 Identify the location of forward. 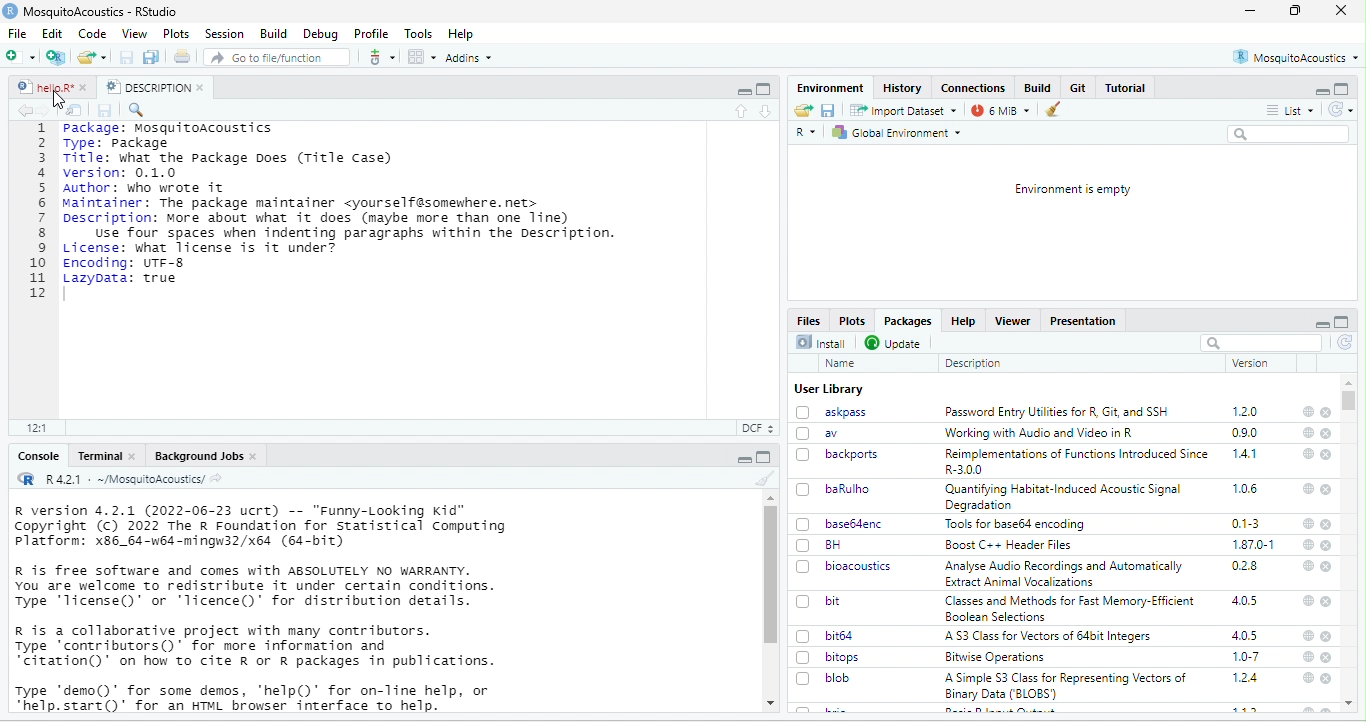
(47, 110).